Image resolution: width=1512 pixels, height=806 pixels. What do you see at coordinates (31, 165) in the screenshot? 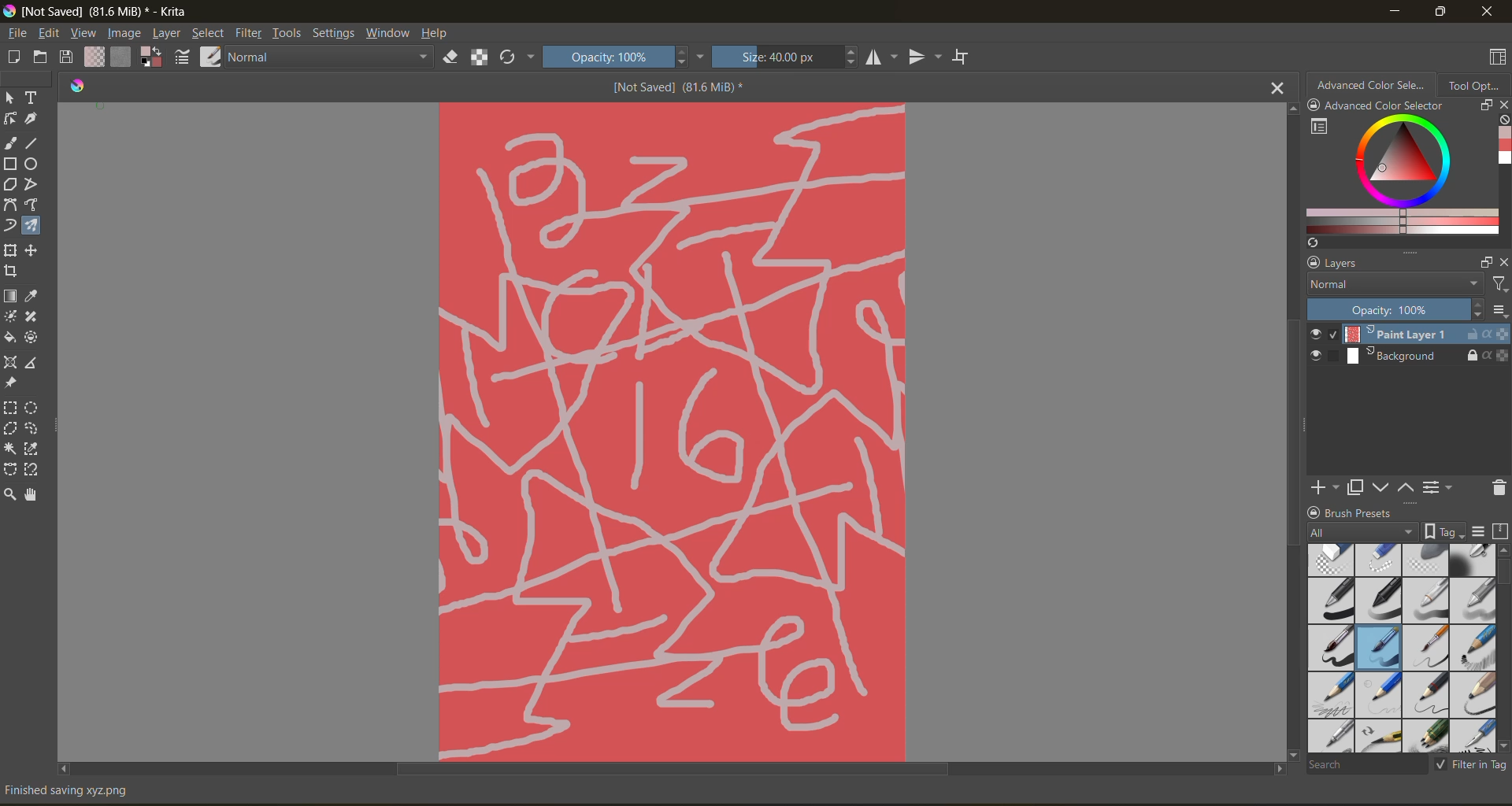
I see `tool` at bounding box center [31, 165].